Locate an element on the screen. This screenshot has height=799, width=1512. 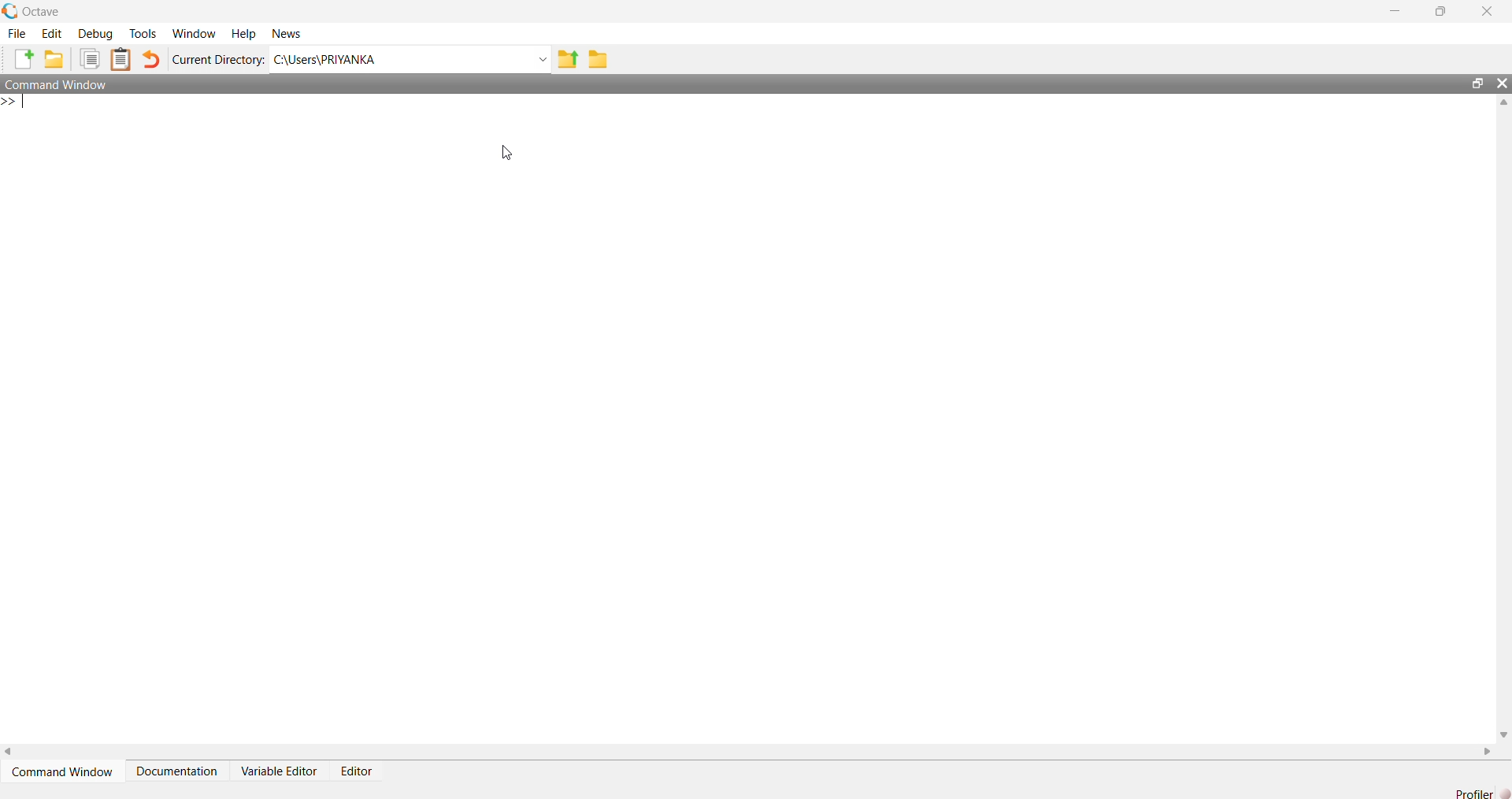
Octave is located at coordinates (37, 13).